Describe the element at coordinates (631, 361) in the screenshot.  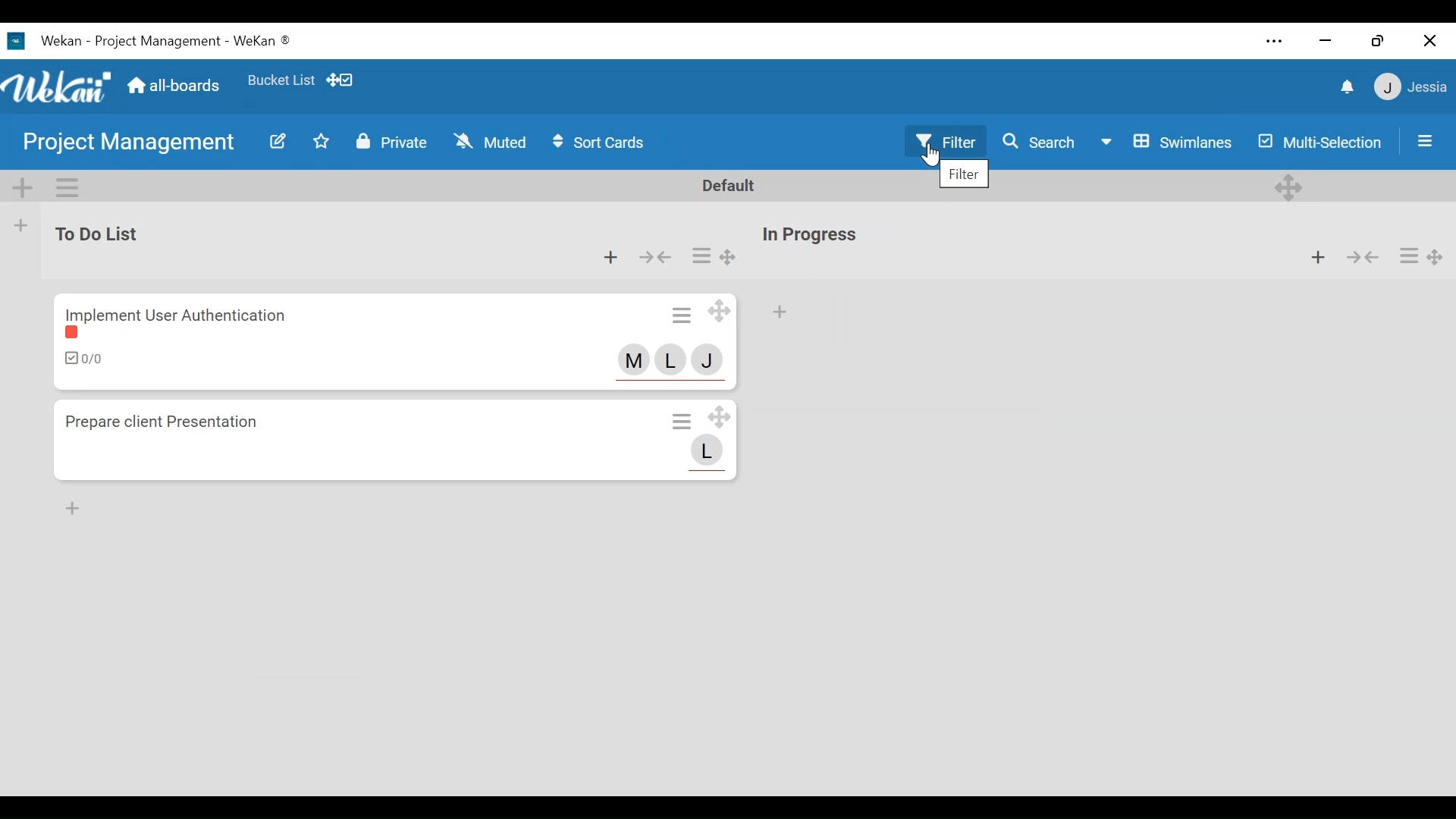
I see `member` at that location.